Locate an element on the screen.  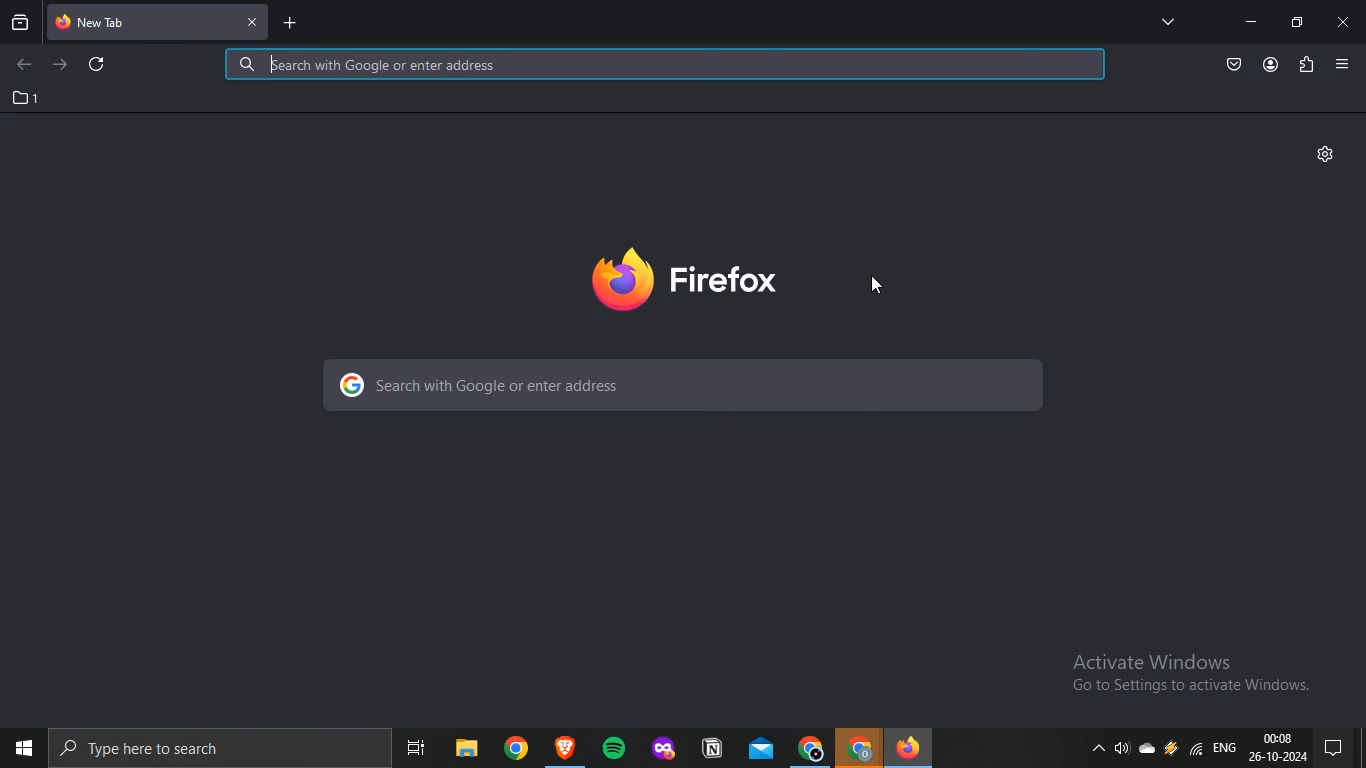
pointer cursor is located at coordinates (886, 290).